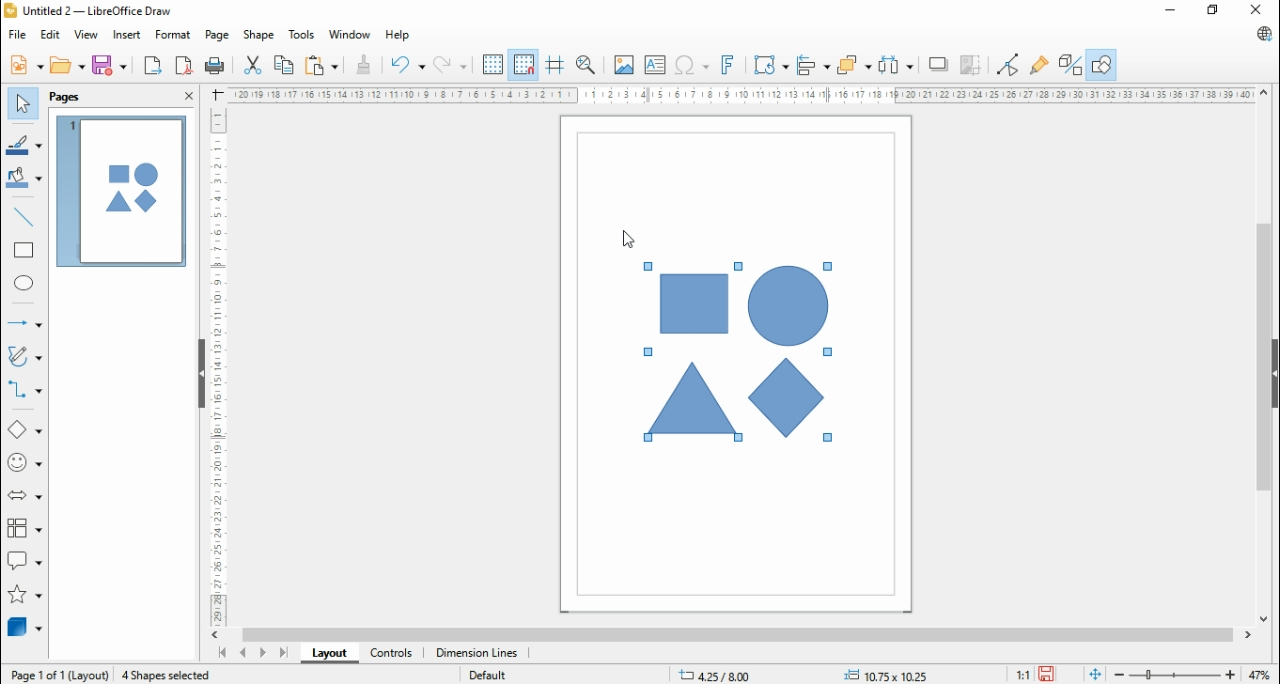  Describe the element at coordinates (587, 64) in the screenshot. I see `pan and zoom` at that location.